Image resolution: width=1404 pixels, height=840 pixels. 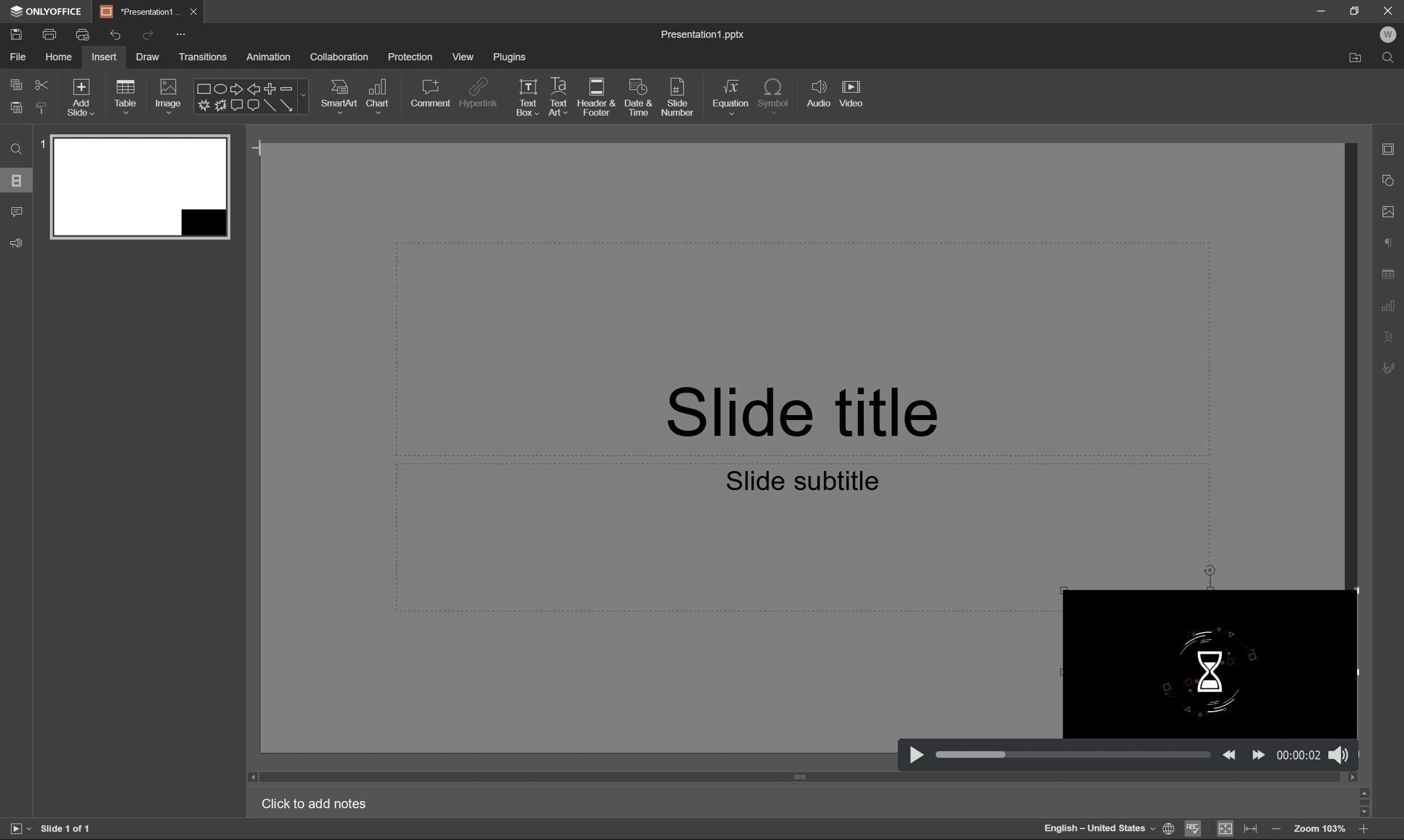 What do you see at coordinates (16, 108) in the screenshot?
I see `paste` at bounding box center [16, 108].